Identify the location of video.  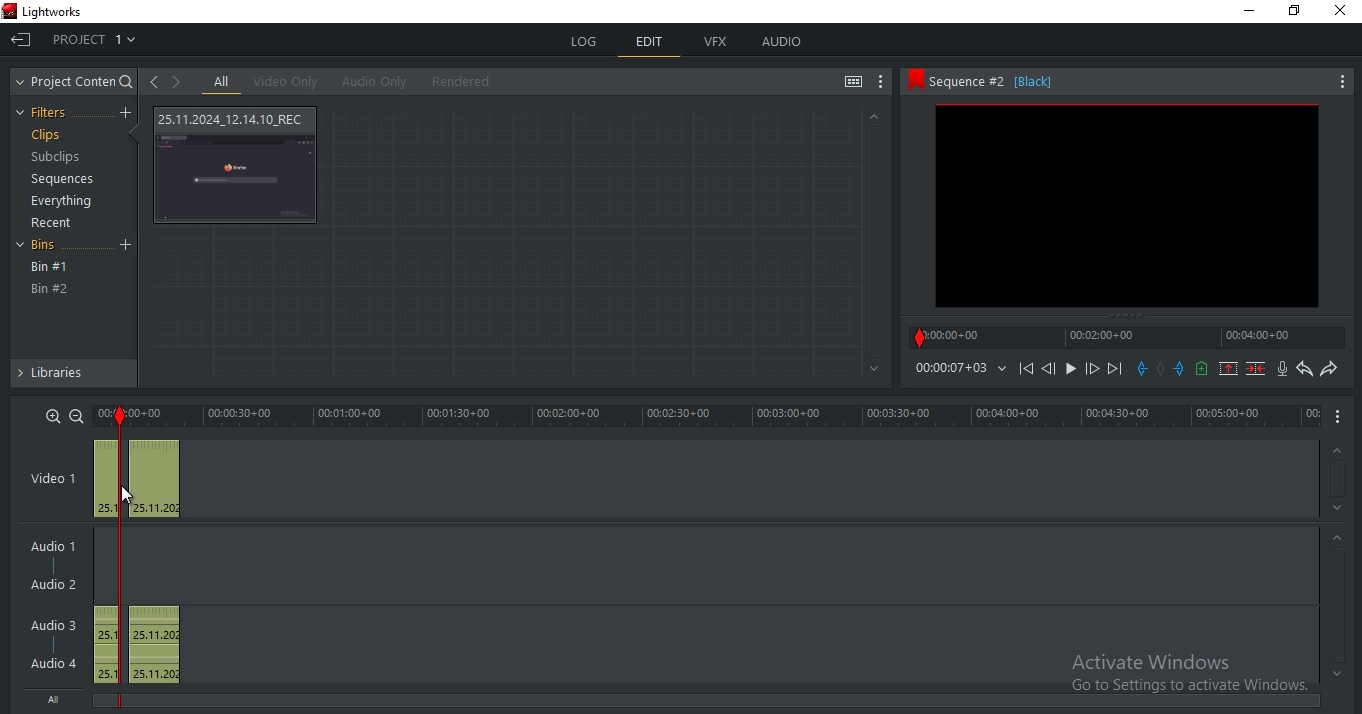
(137, 479).